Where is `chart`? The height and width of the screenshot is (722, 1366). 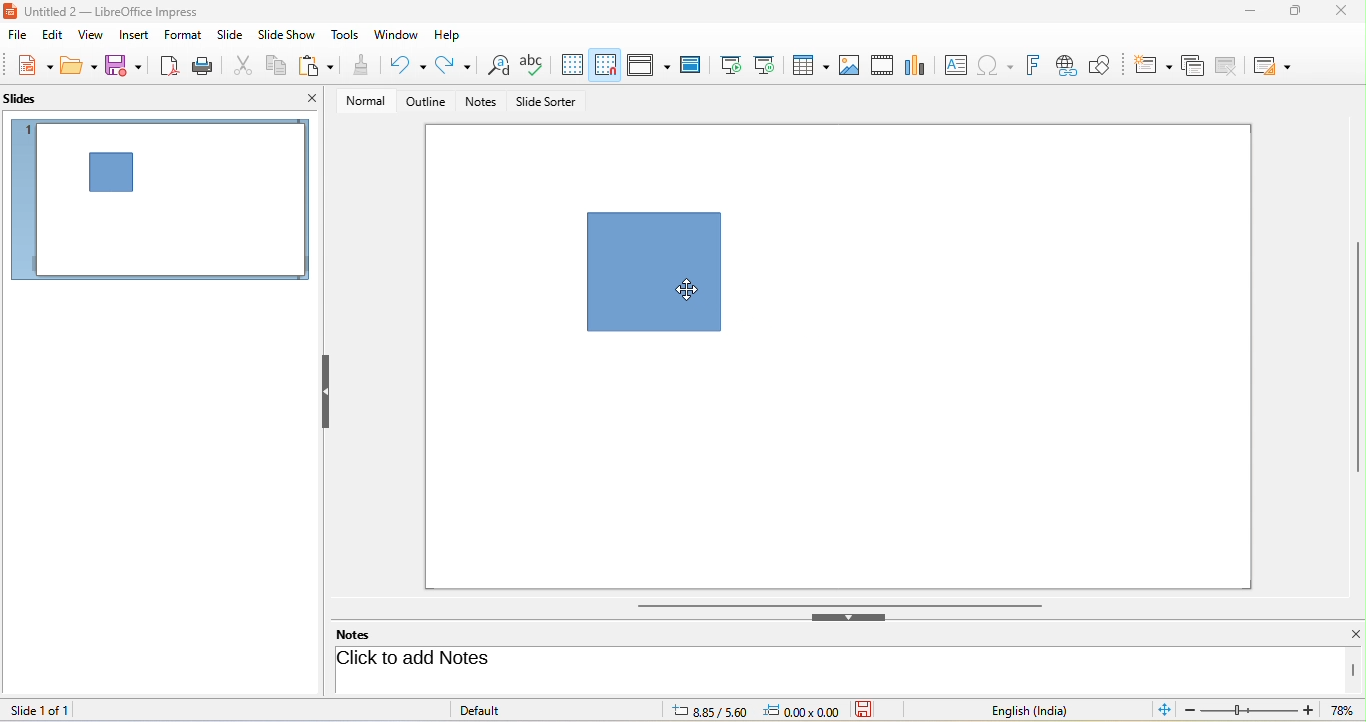 chart is located at coordinates (917, 64).